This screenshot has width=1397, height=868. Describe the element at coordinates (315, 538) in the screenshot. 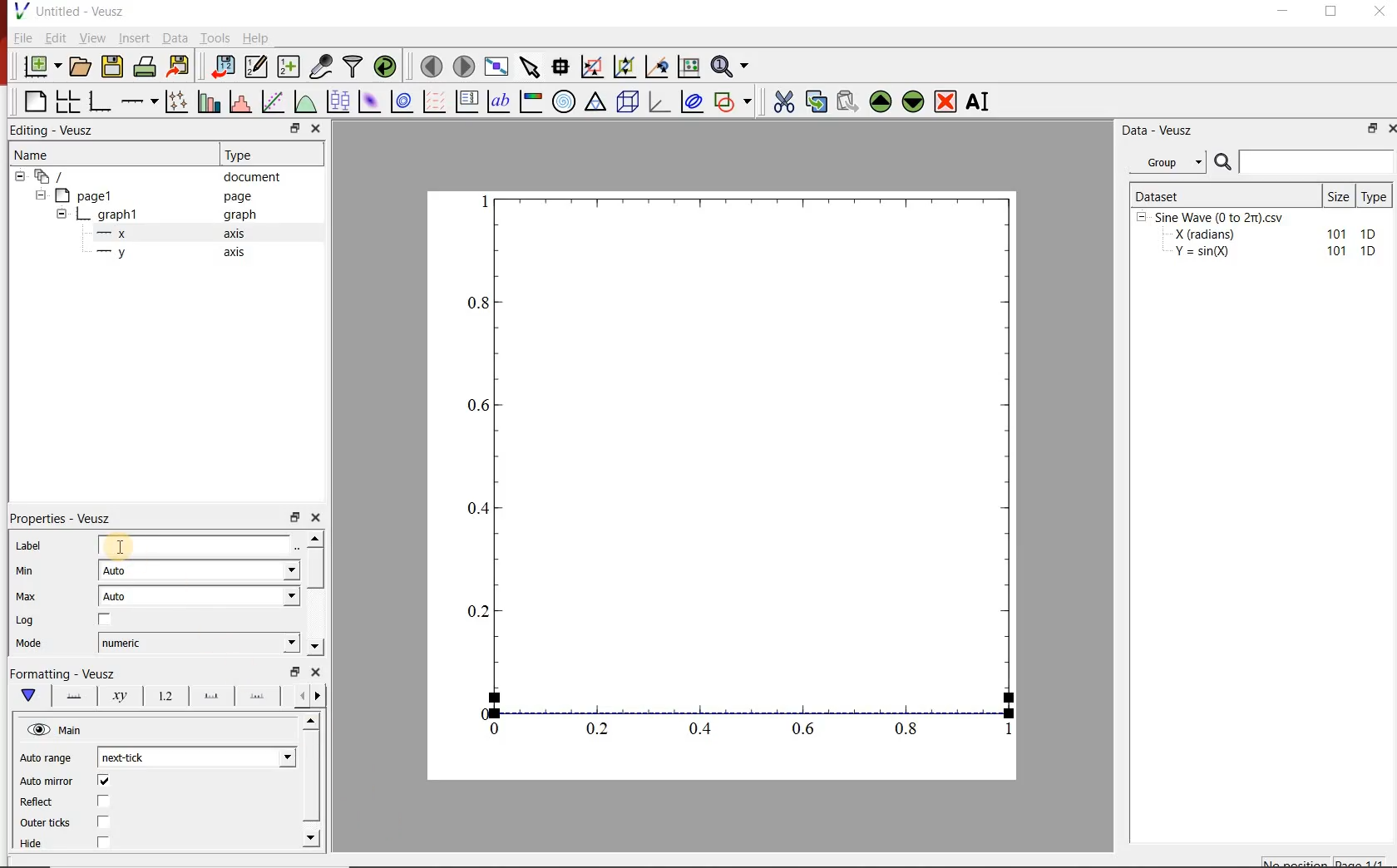

I see `Up` at that location.